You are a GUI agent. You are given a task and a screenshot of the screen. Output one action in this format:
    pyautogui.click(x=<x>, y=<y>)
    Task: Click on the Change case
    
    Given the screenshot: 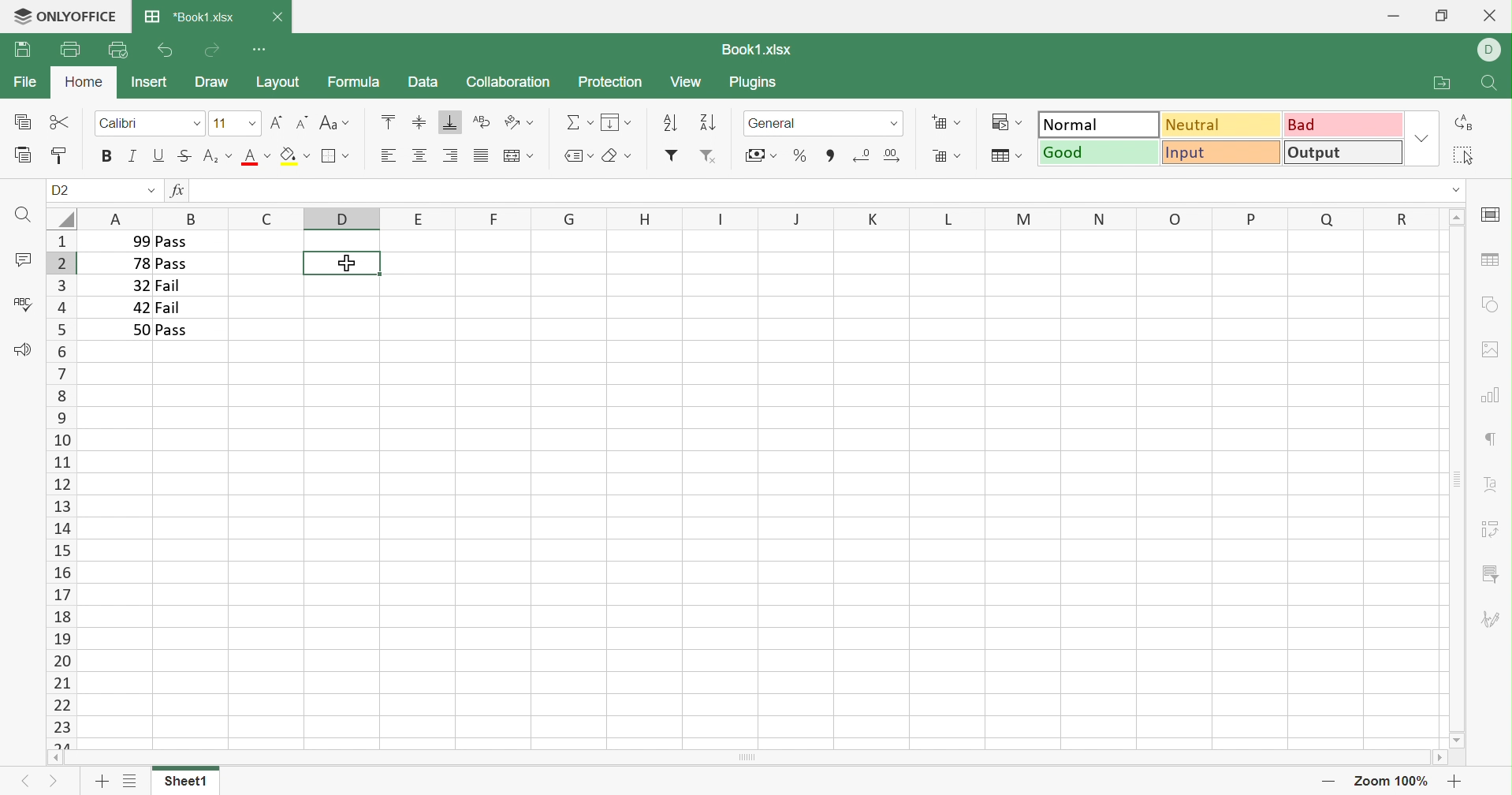 What is the action you would take?
    pyautogui.click(x=333, y=125)
    